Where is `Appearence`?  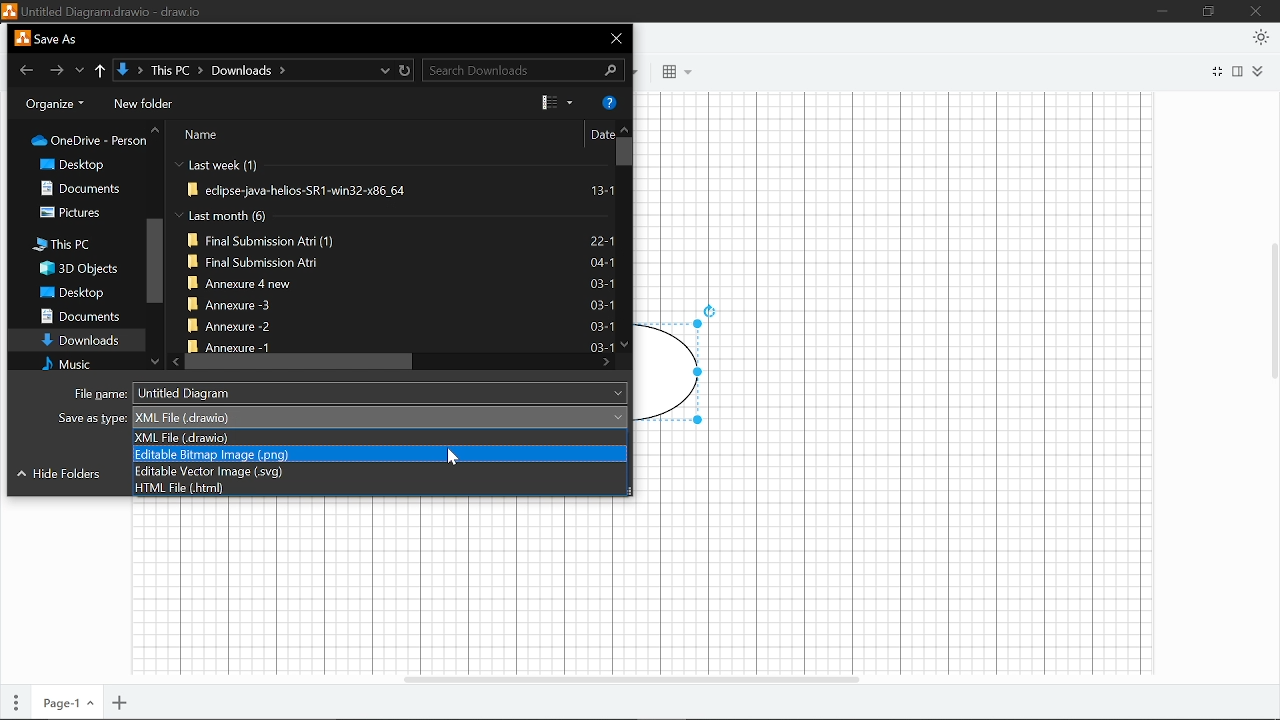 Appearence is located at coordinates (1261, 38).